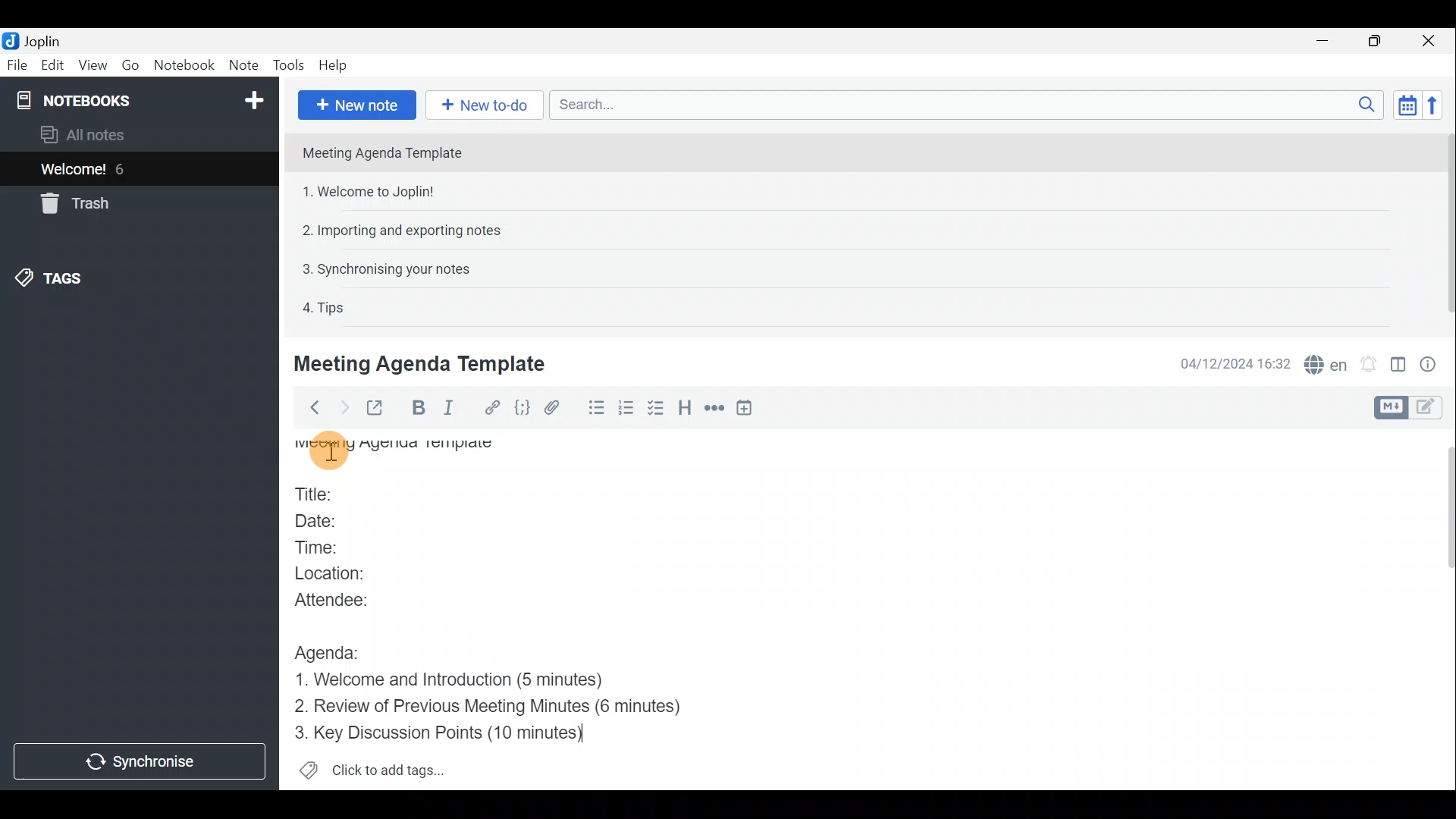 The image size is (1456, 819). I want to click on Time:, so click(322, 548).